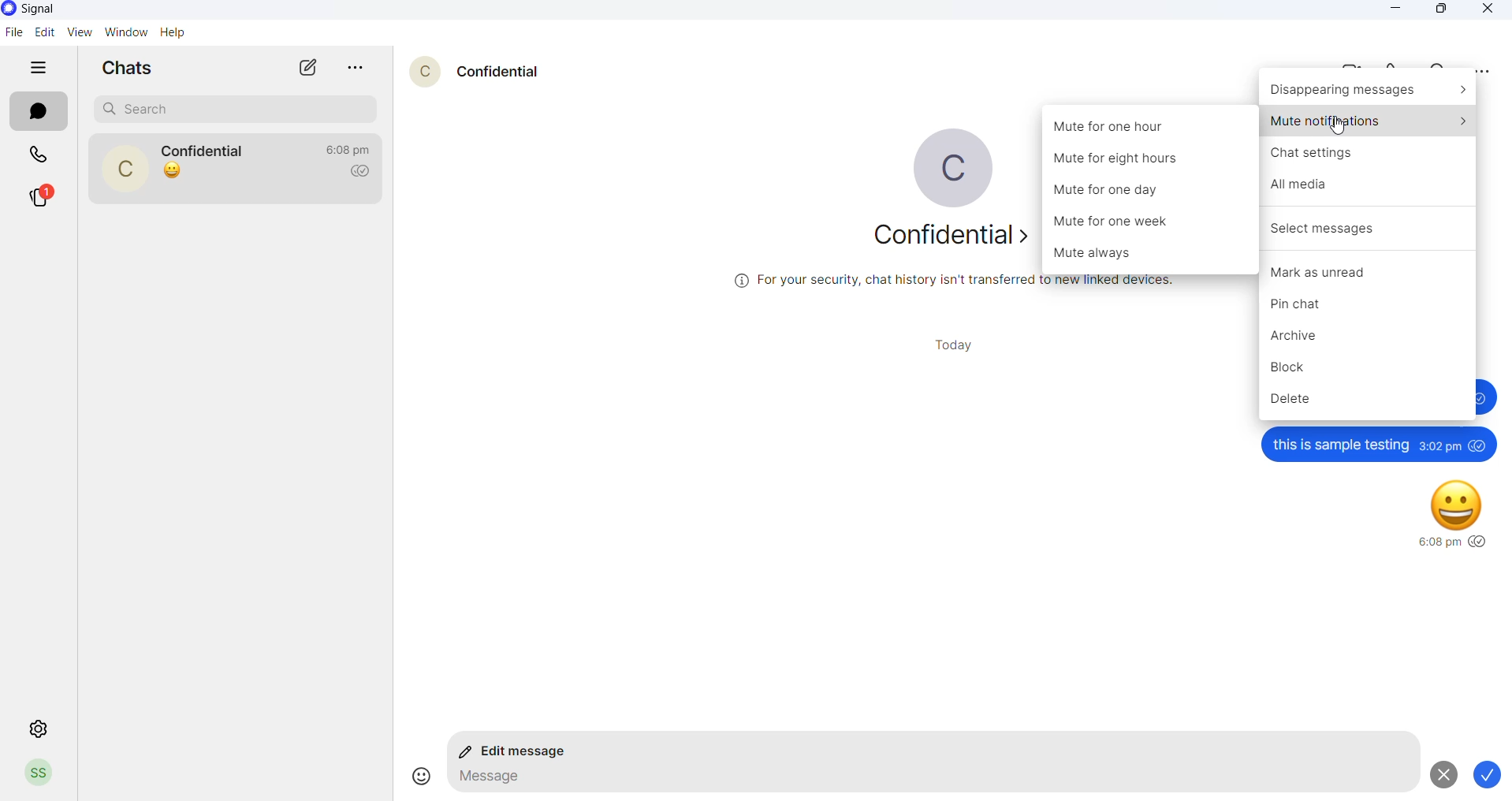 This screenshot has height=801, width=1512. Describe the element at coordinates (936, 237) in the screenshot. I see `about contact` at that location.